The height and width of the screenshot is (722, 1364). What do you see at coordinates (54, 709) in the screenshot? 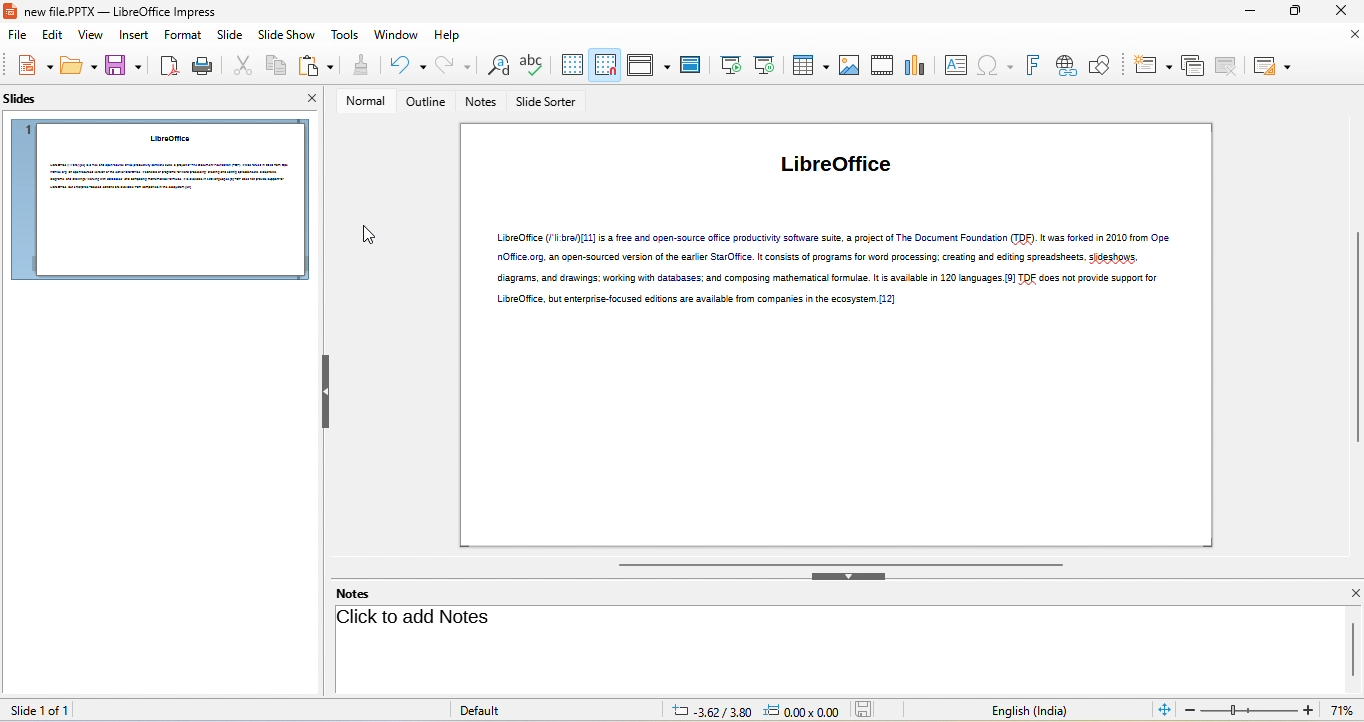
I see `slide 1 of 1` at bounding box center [54, 709].